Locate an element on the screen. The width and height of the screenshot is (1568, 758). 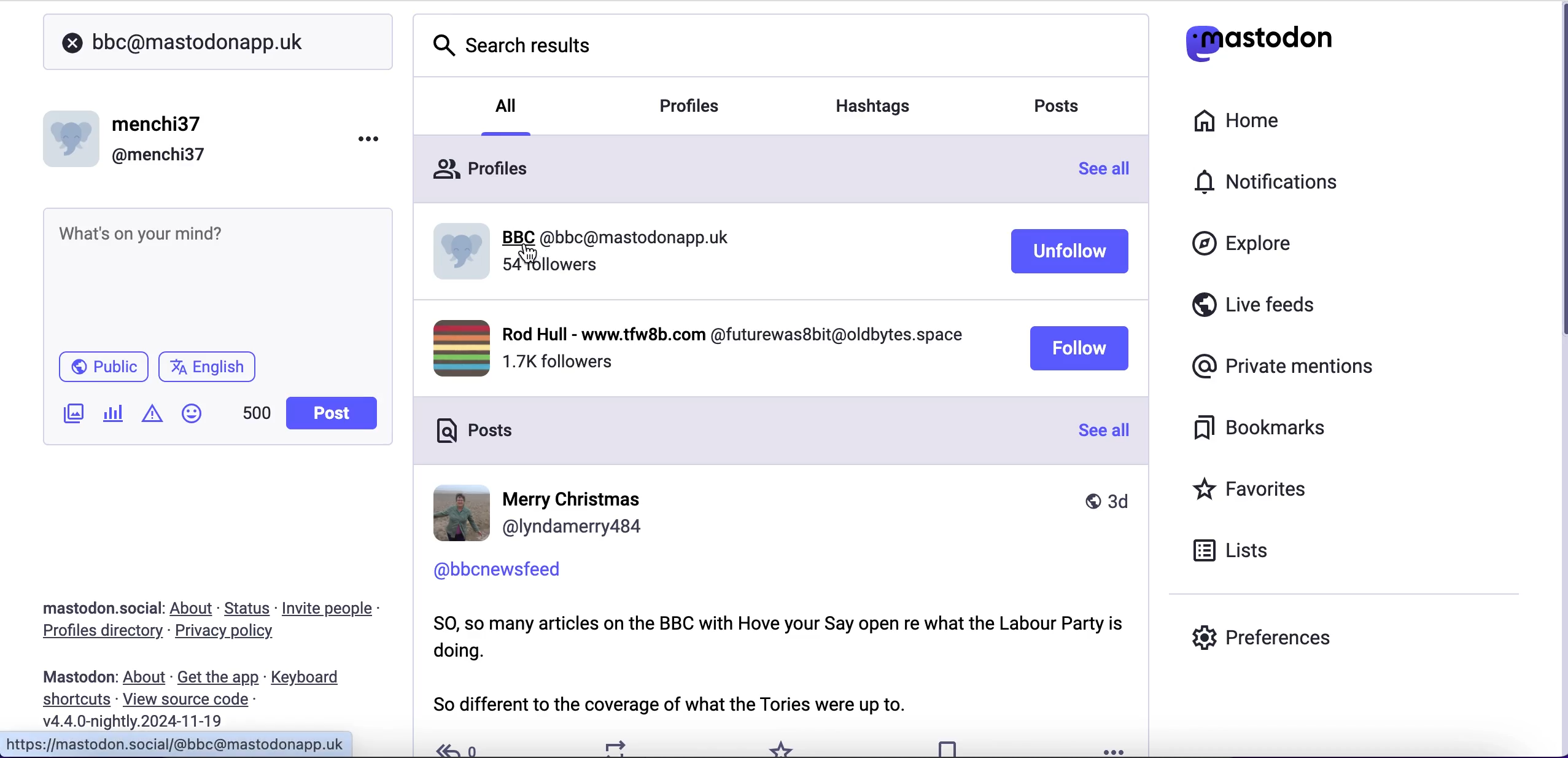
profile picture is located at coordinates (462, 263).